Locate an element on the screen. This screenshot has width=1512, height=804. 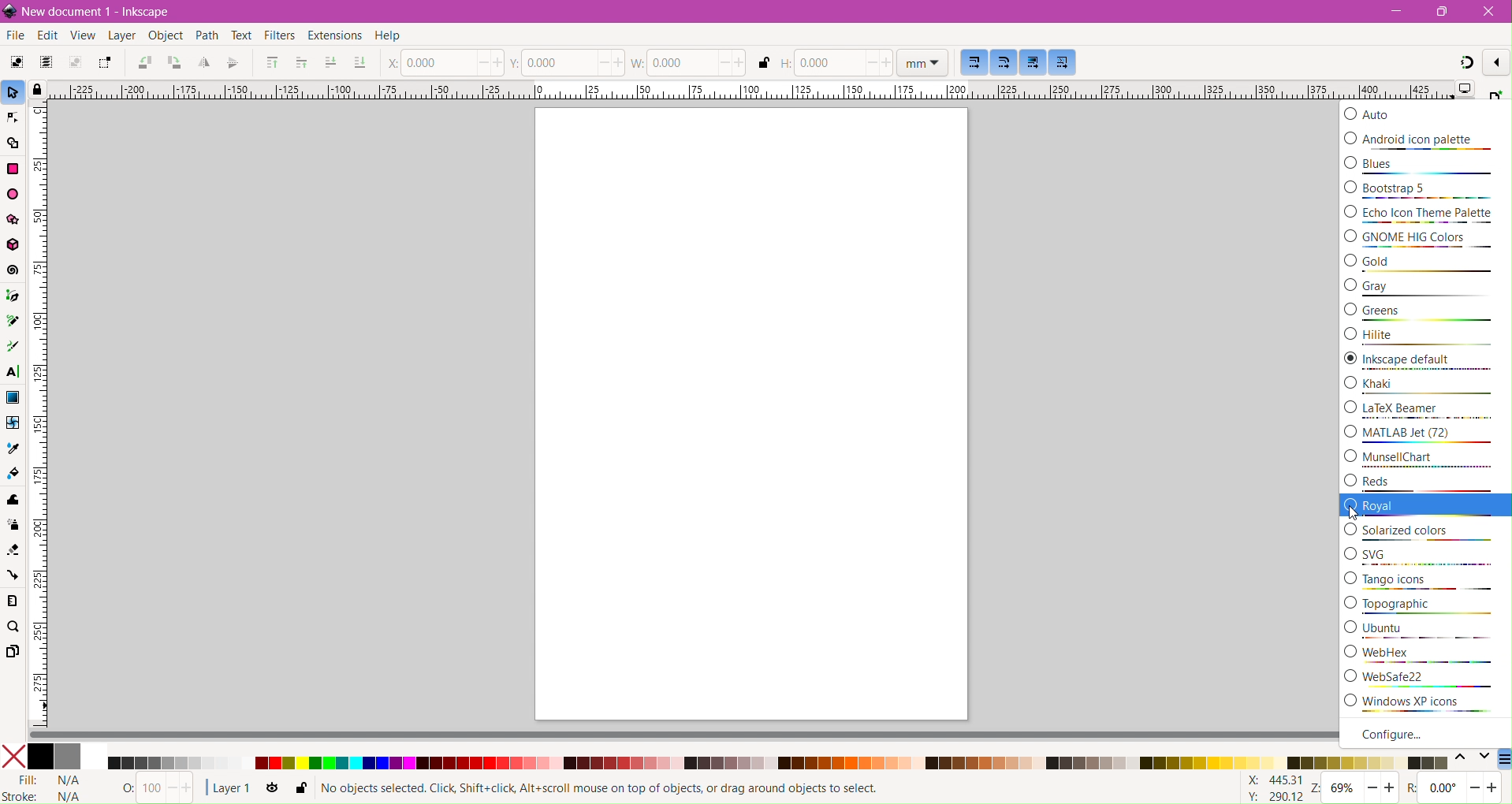
MunsellChart is located at coordinates (1425, 458).